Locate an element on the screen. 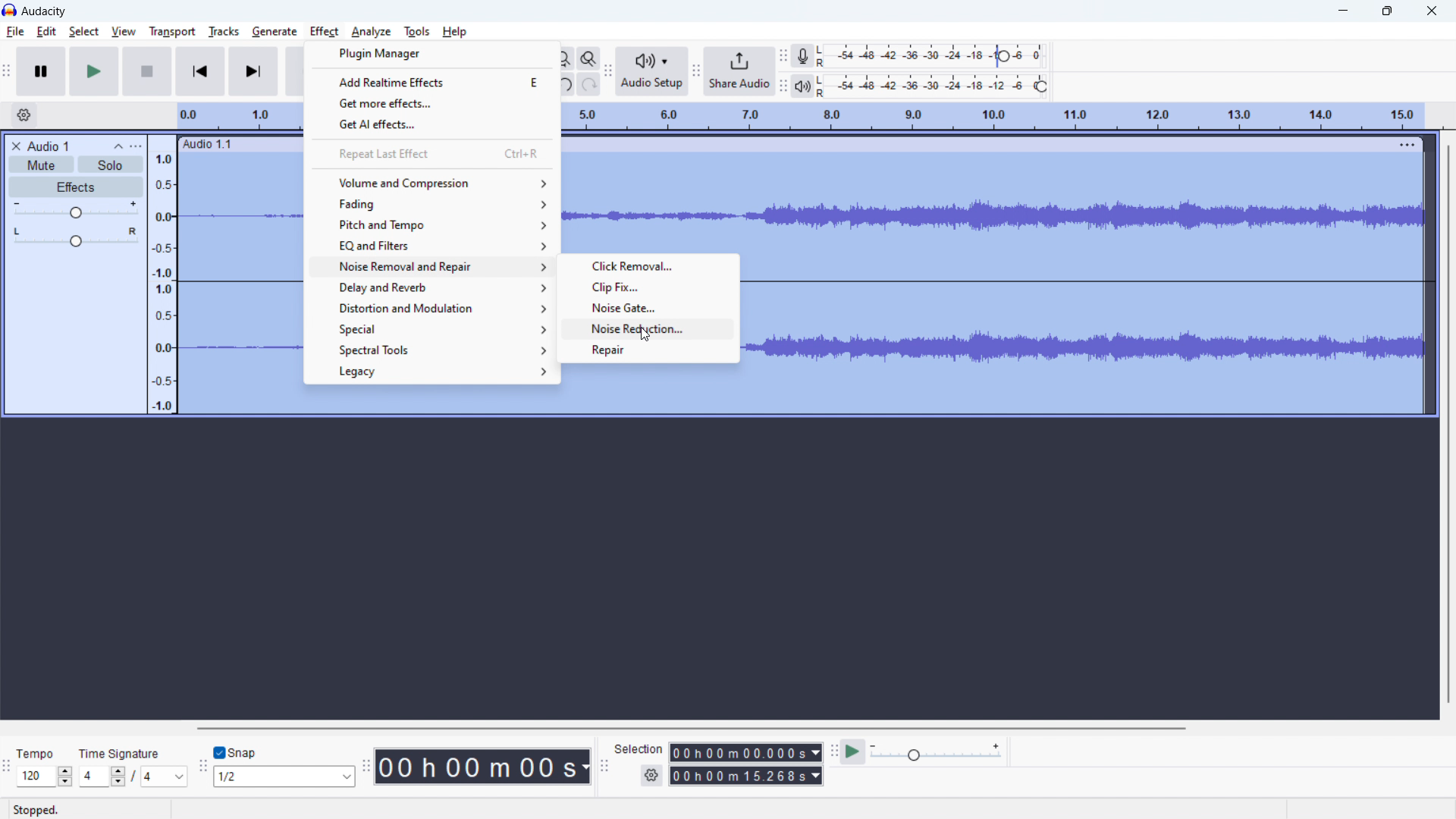 The height and width of the screenshot is (819, 1456). share audio is located at coordinates (739, 71).